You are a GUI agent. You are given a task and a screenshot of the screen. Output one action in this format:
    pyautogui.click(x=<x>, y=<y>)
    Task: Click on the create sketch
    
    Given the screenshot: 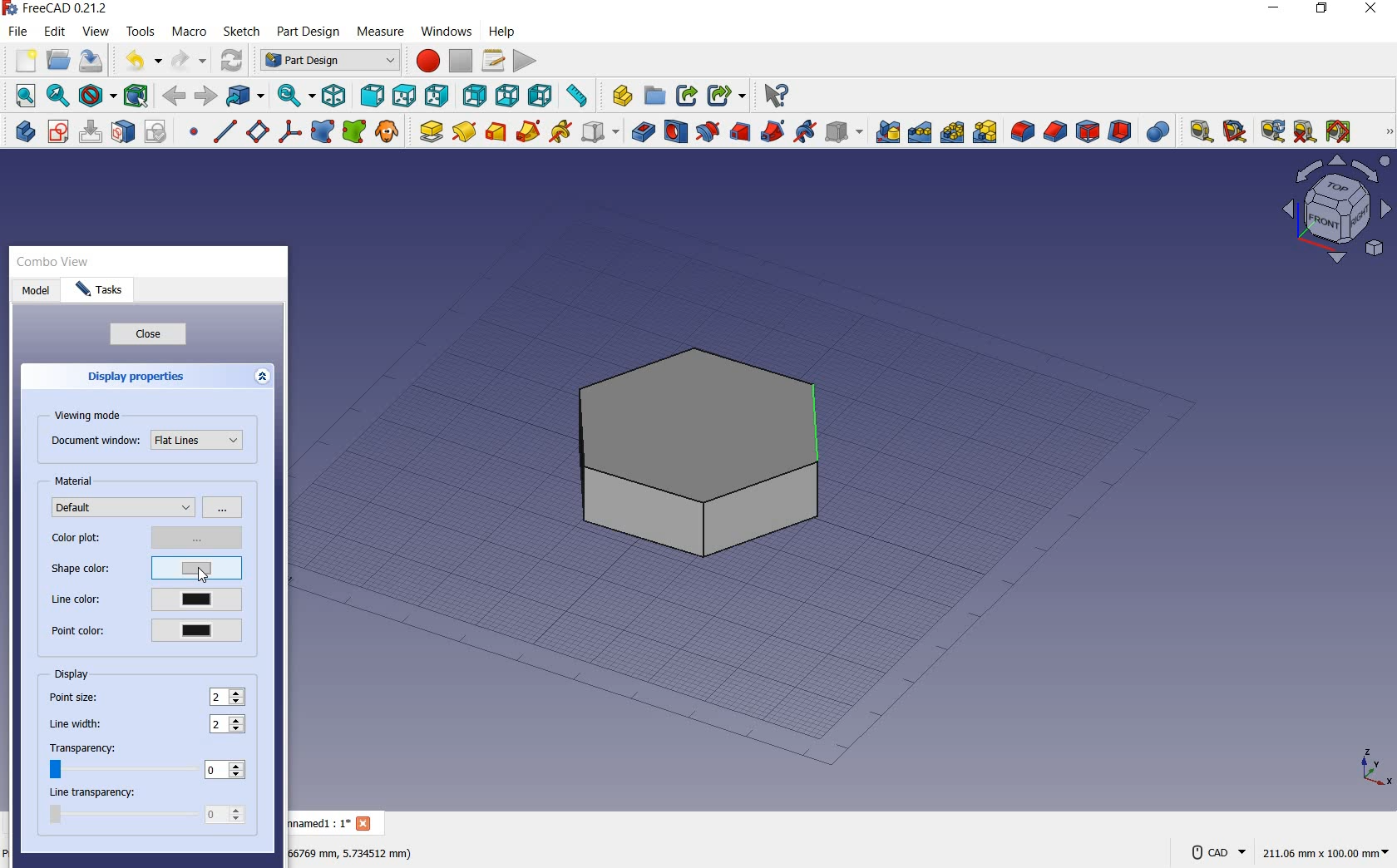 What is the action you would take?
    pyautogui.click(x=57, y=132)
    